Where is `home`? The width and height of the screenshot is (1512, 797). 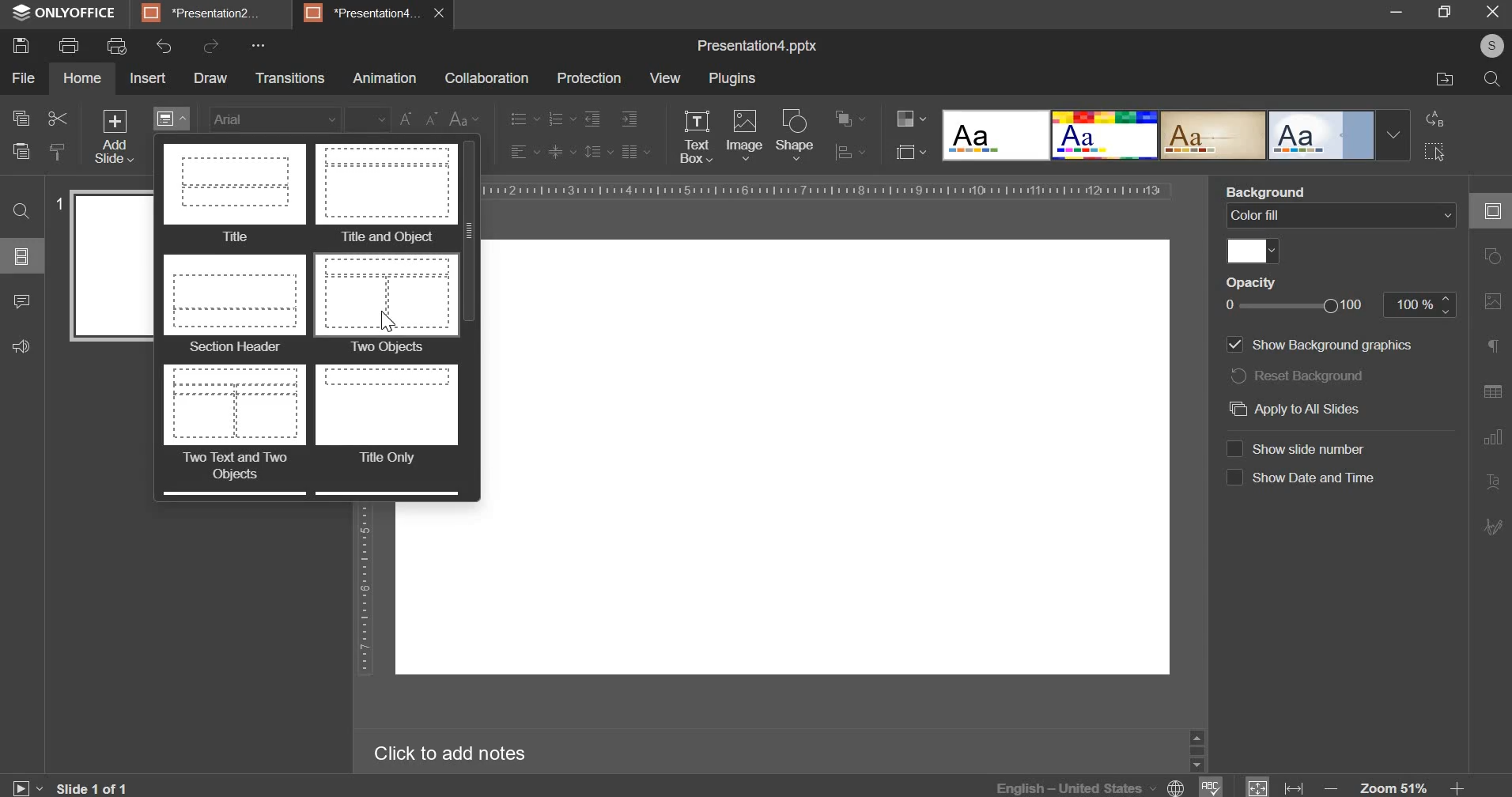
home is located at coordinates (83, 77).